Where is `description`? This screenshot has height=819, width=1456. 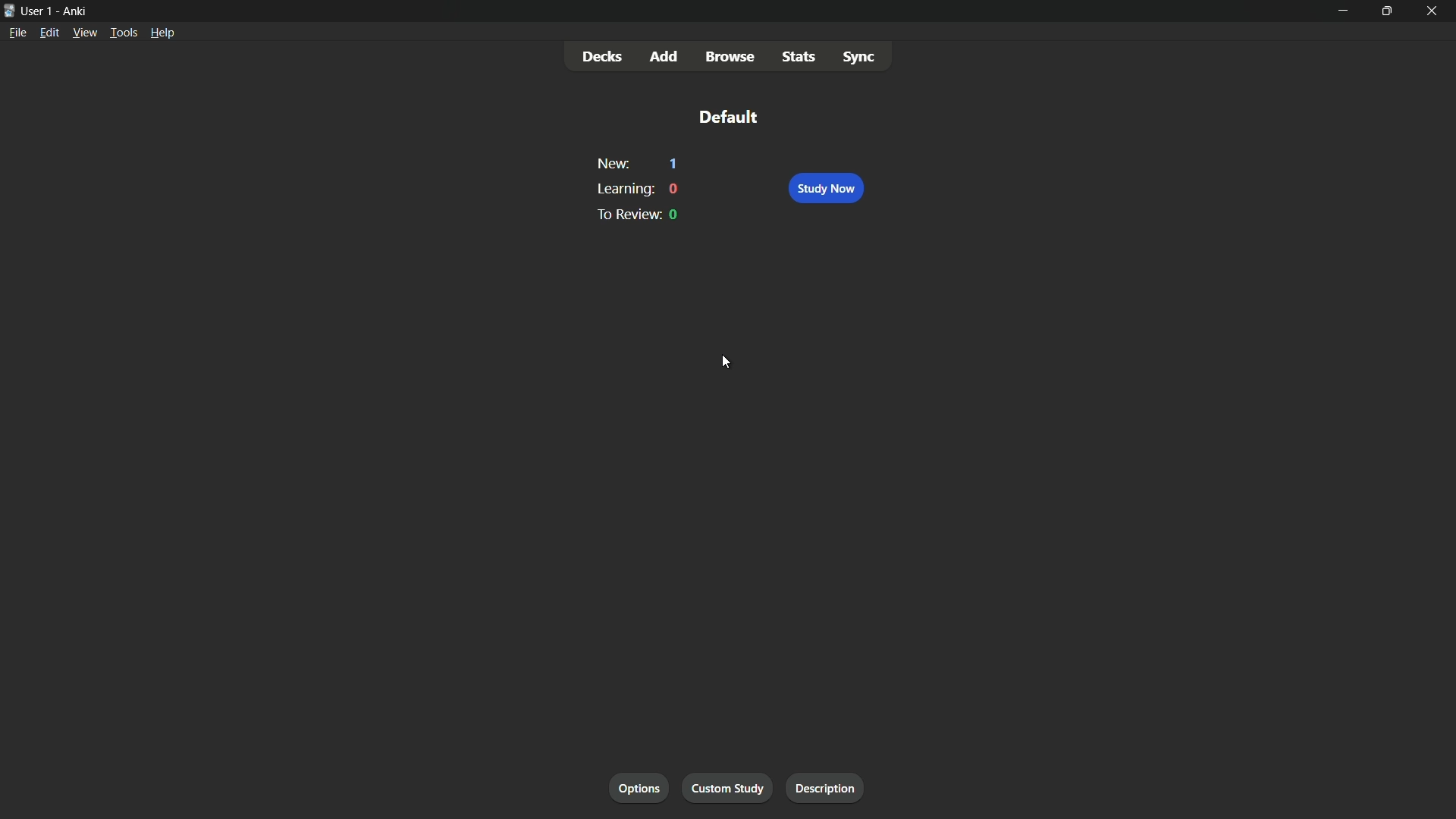 description is located at coordinates (822, 786).